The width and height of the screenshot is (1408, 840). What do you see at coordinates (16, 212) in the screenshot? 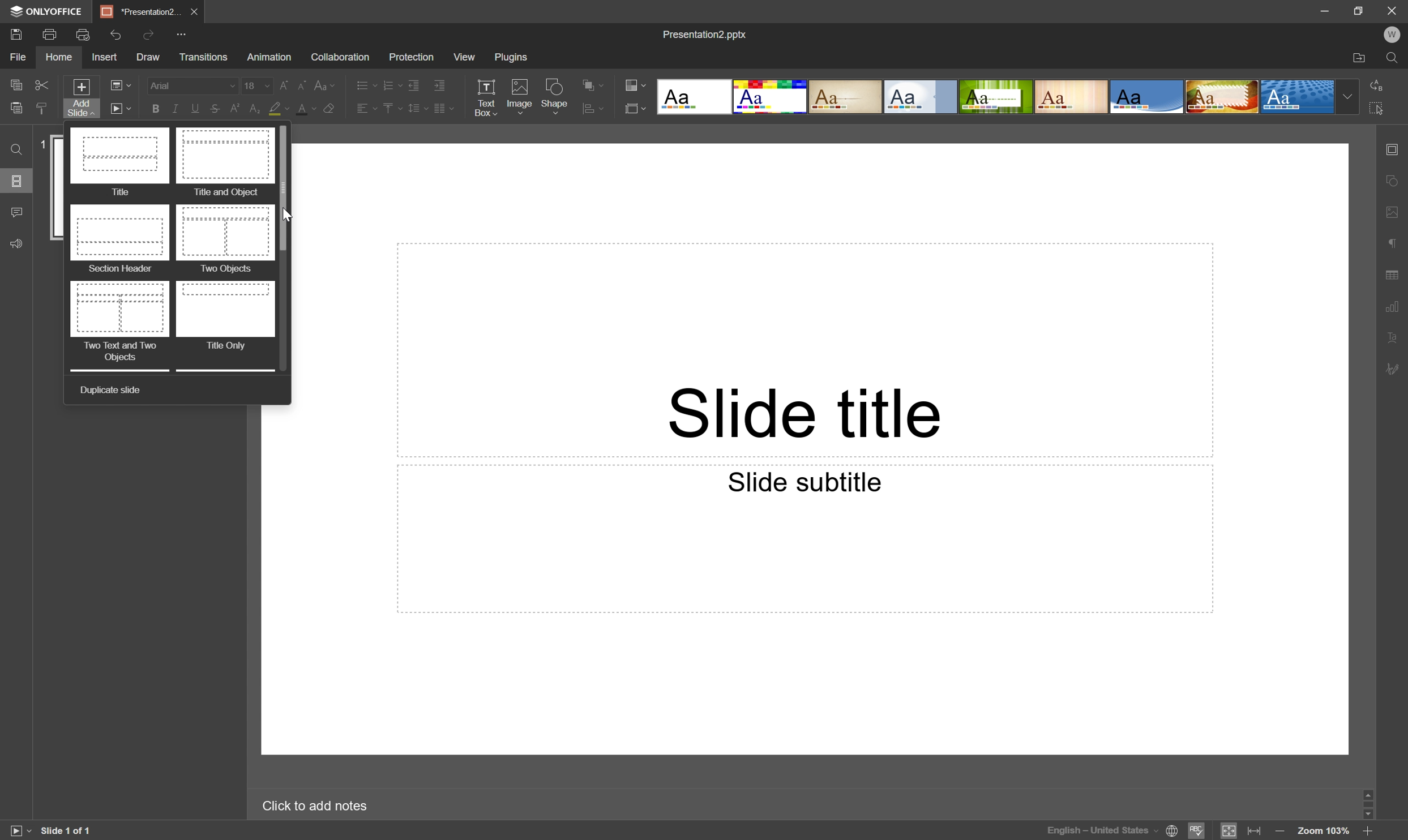
I see `Comments` at bounding box center [16, 212].